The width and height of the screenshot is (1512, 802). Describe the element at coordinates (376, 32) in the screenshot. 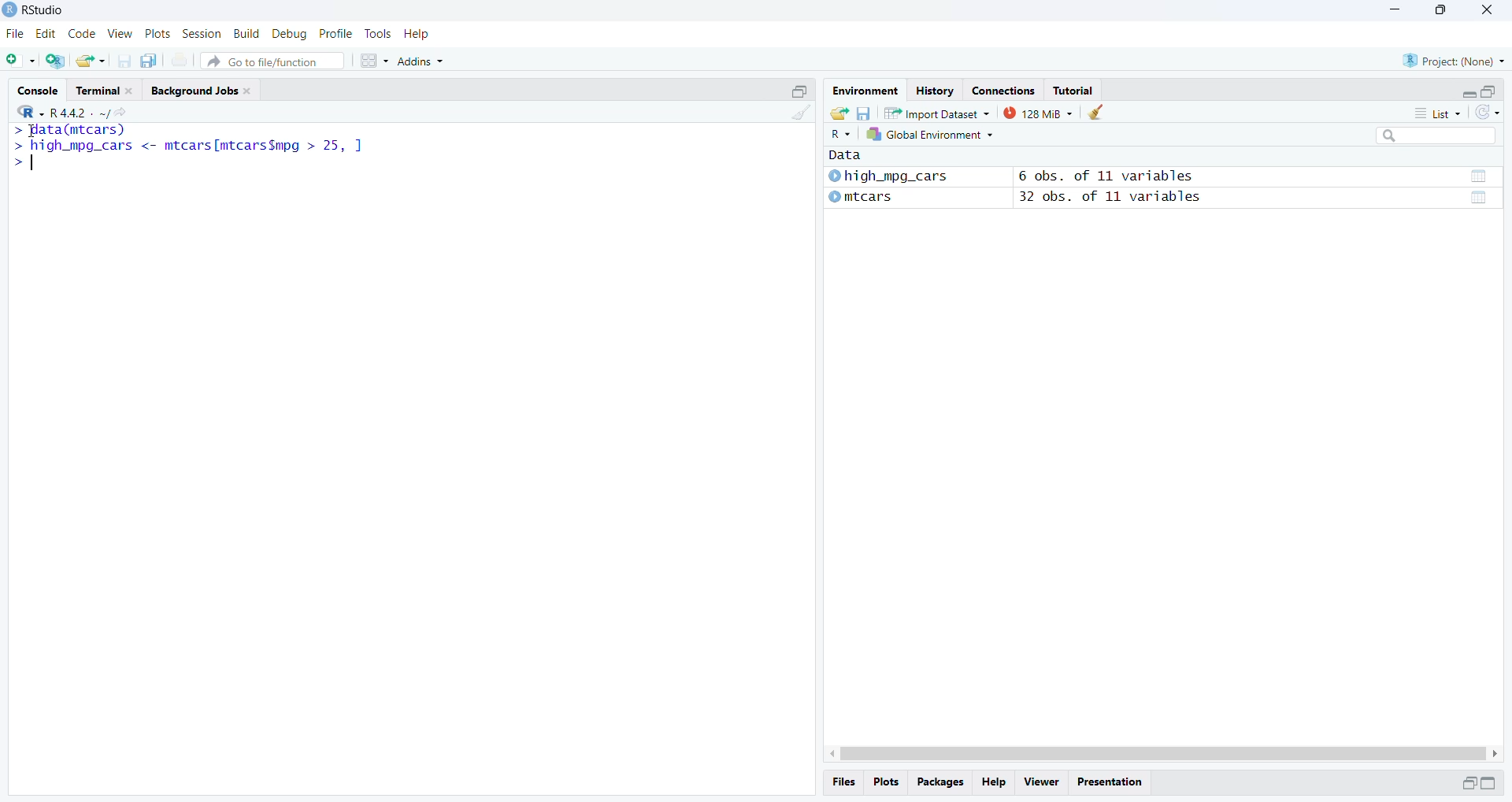

I see `Tools` at that location.